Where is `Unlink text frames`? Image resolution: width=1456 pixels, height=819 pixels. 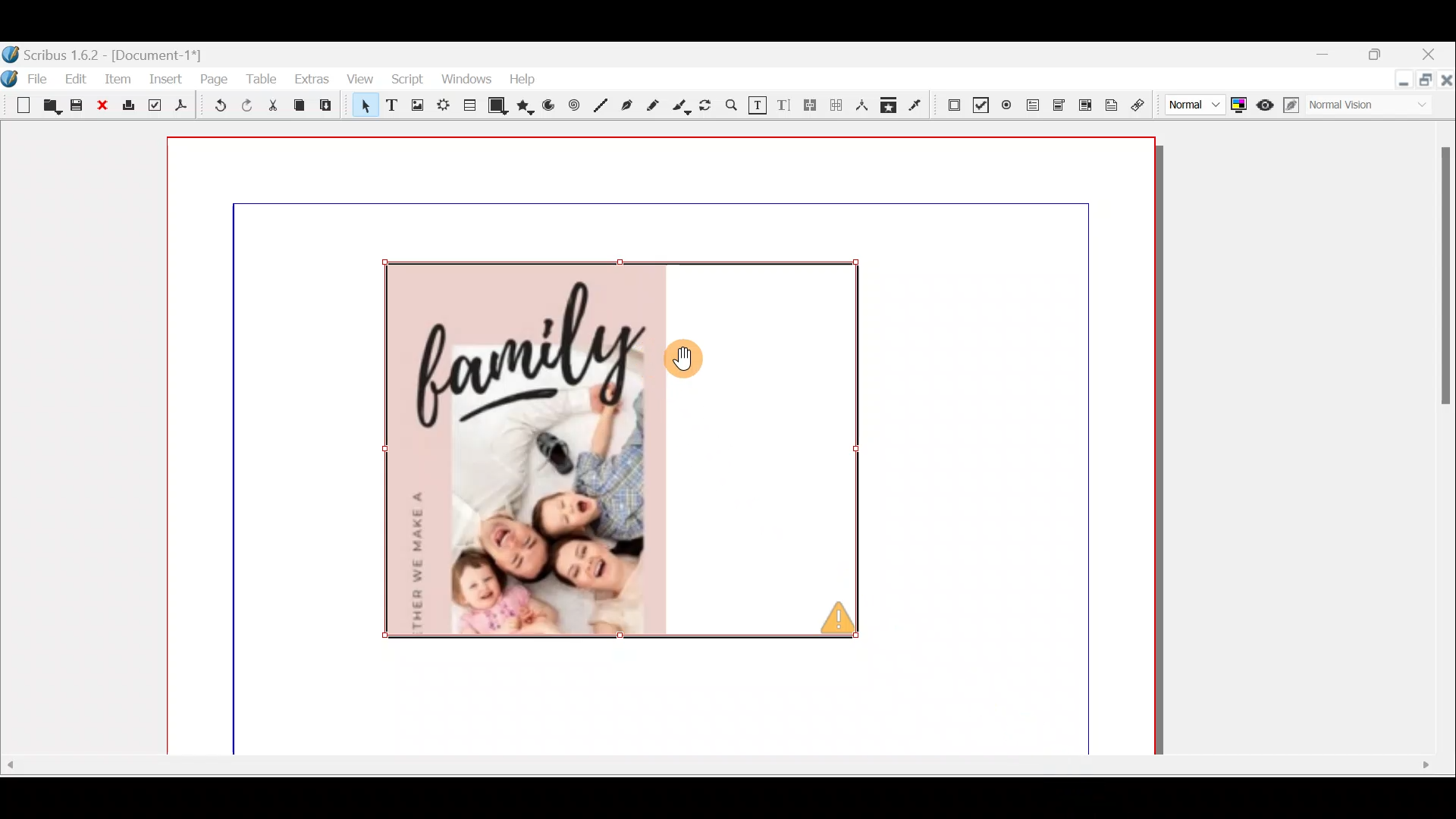
Unlink text frames is located at coordinates (839, 104).